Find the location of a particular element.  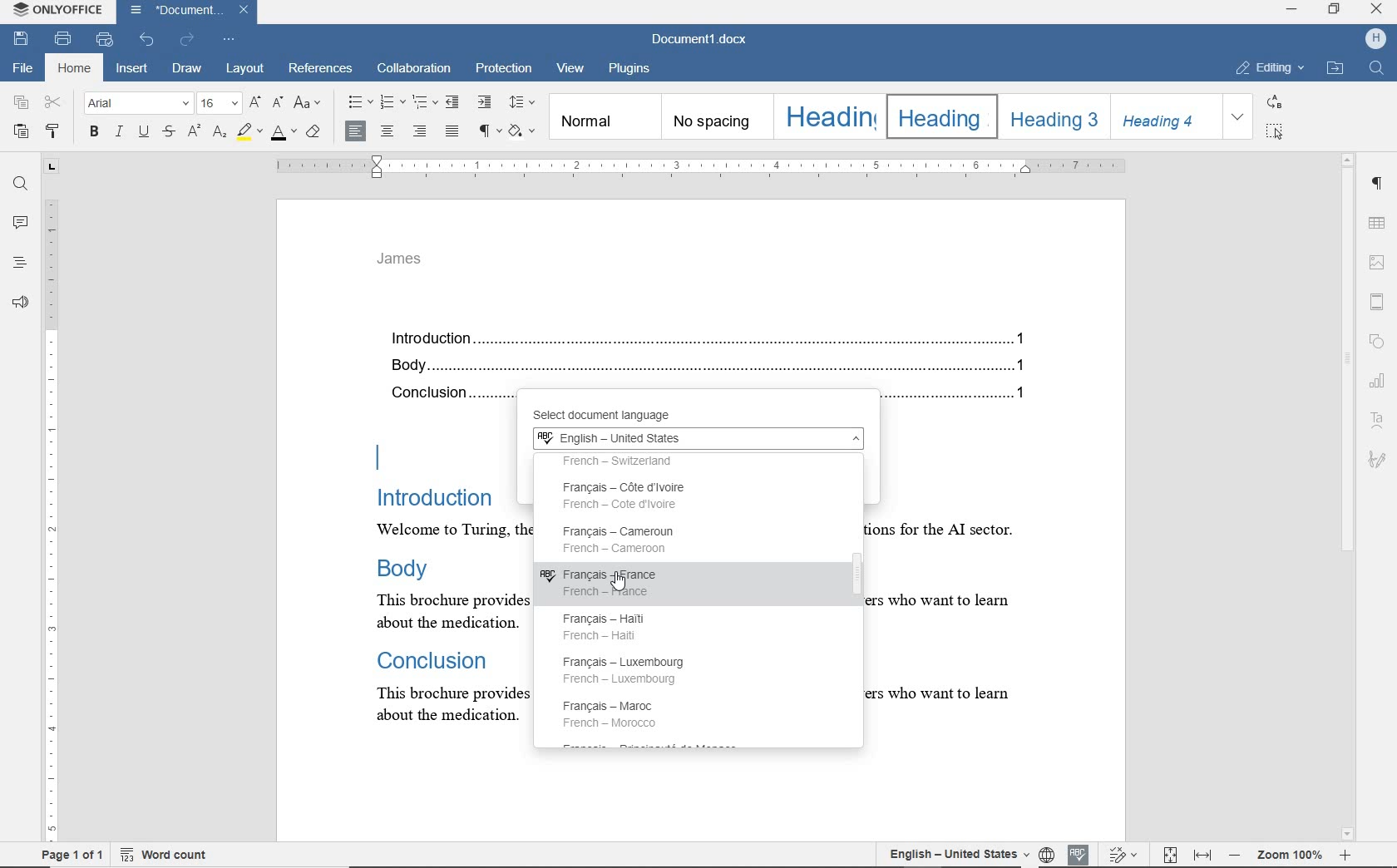

shapes is located at coordinates (1380, 343).